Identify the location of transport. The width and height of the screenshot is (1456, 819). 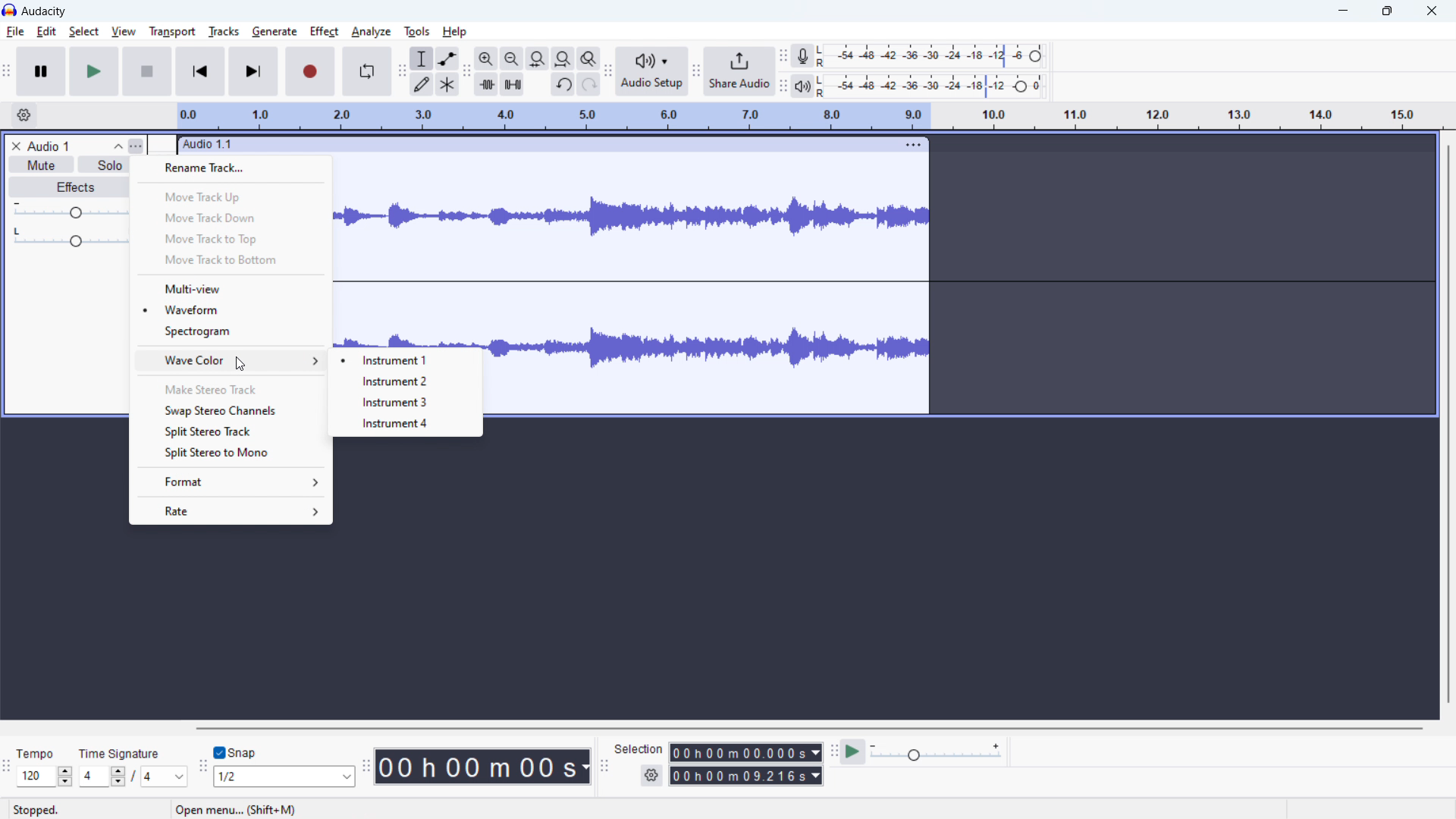
(172, 32).